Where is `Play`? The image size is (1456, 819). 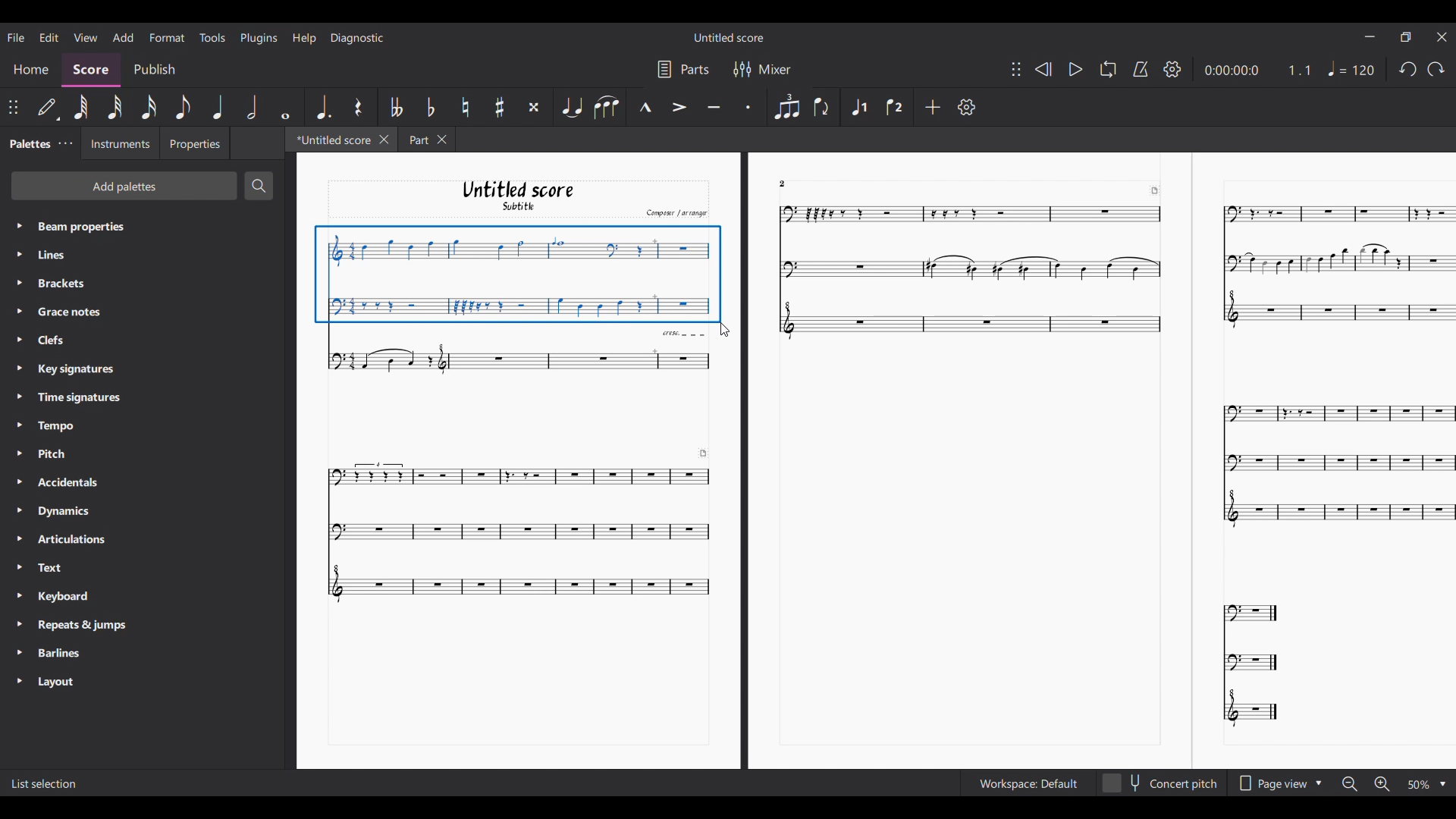
Play is located at coordinates (1075, 70).